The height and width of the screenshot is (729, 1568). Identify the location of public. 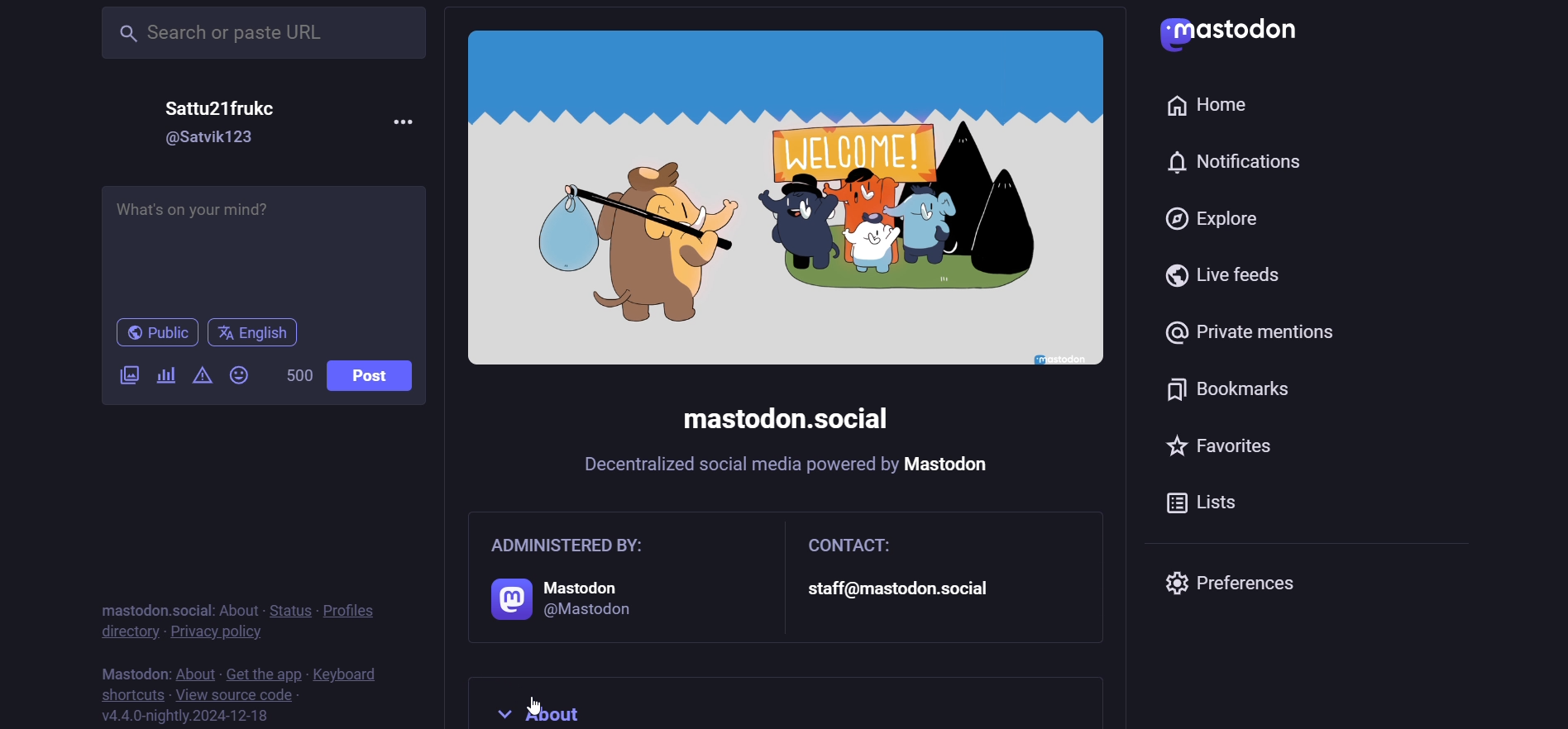
(148, 334).